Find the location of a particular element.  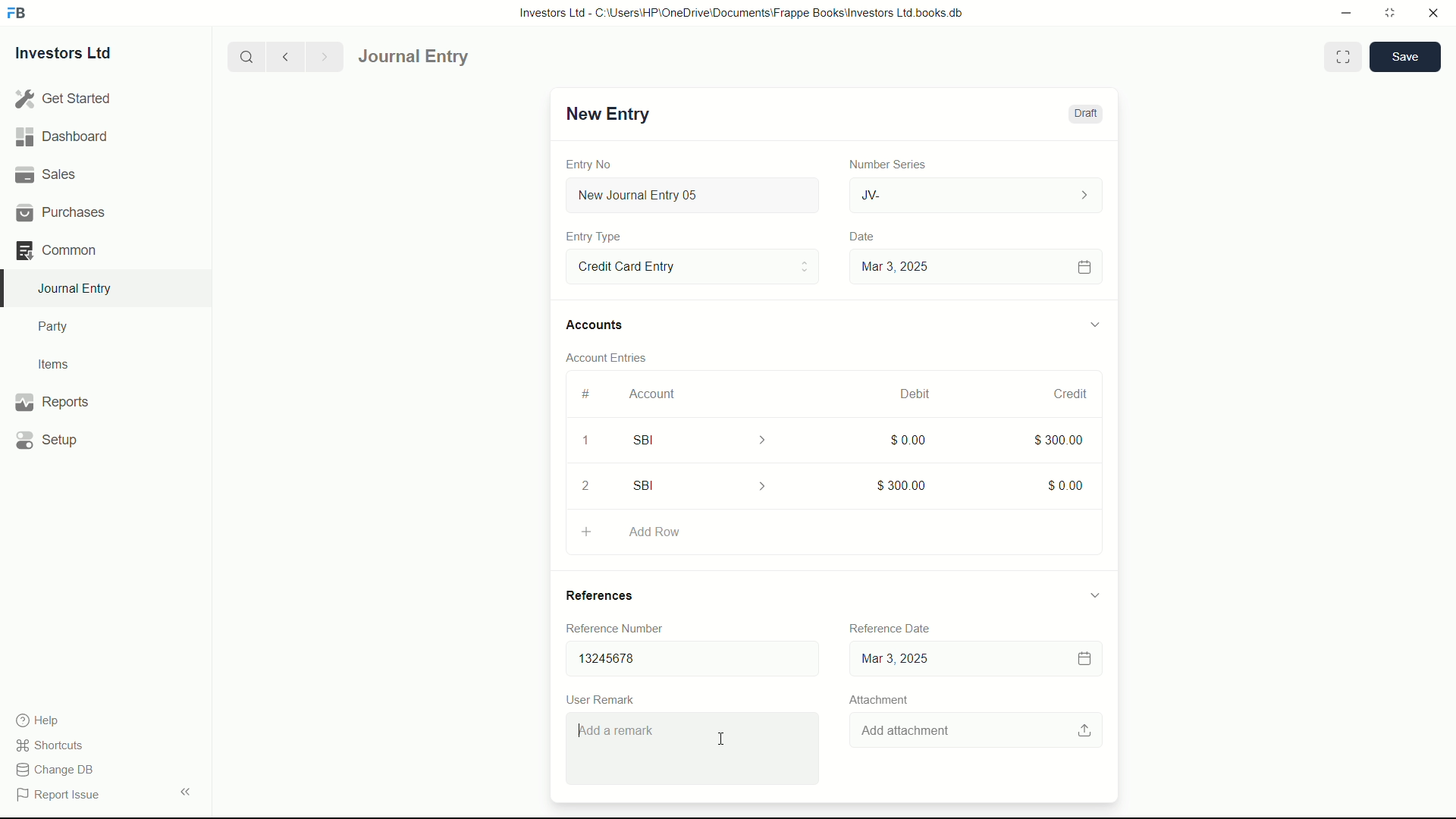

FrappeBooks logo is located at coordinates (17, 14).